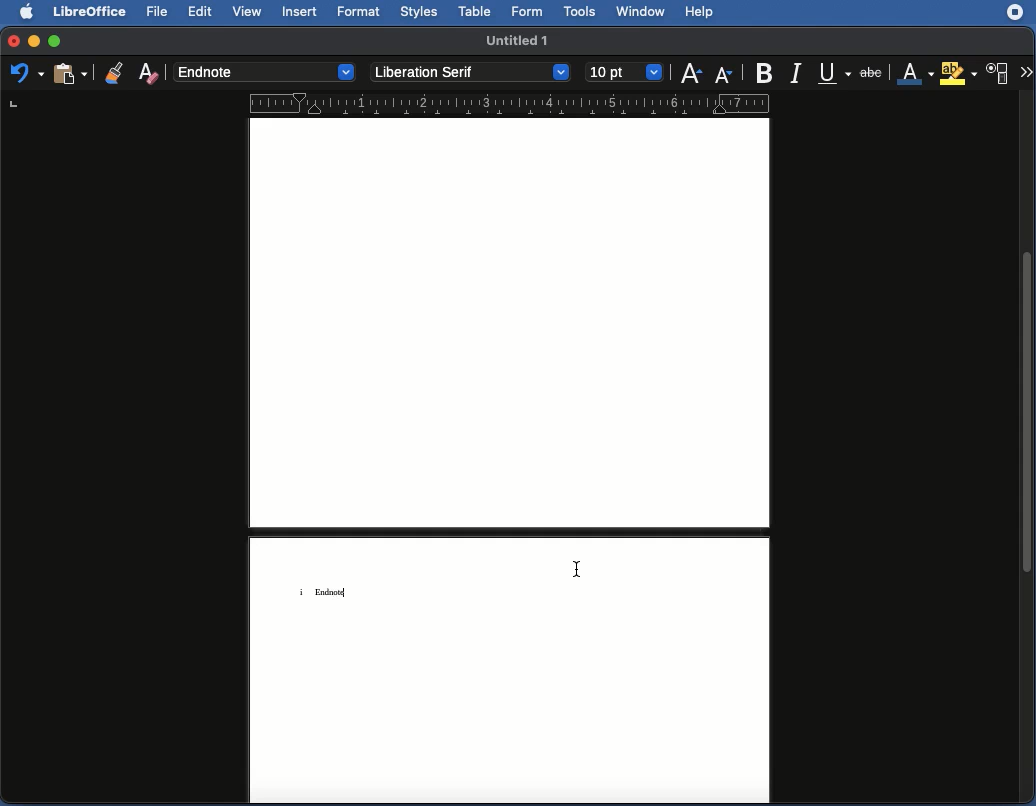  I want to click on Format, so click(360, 12).